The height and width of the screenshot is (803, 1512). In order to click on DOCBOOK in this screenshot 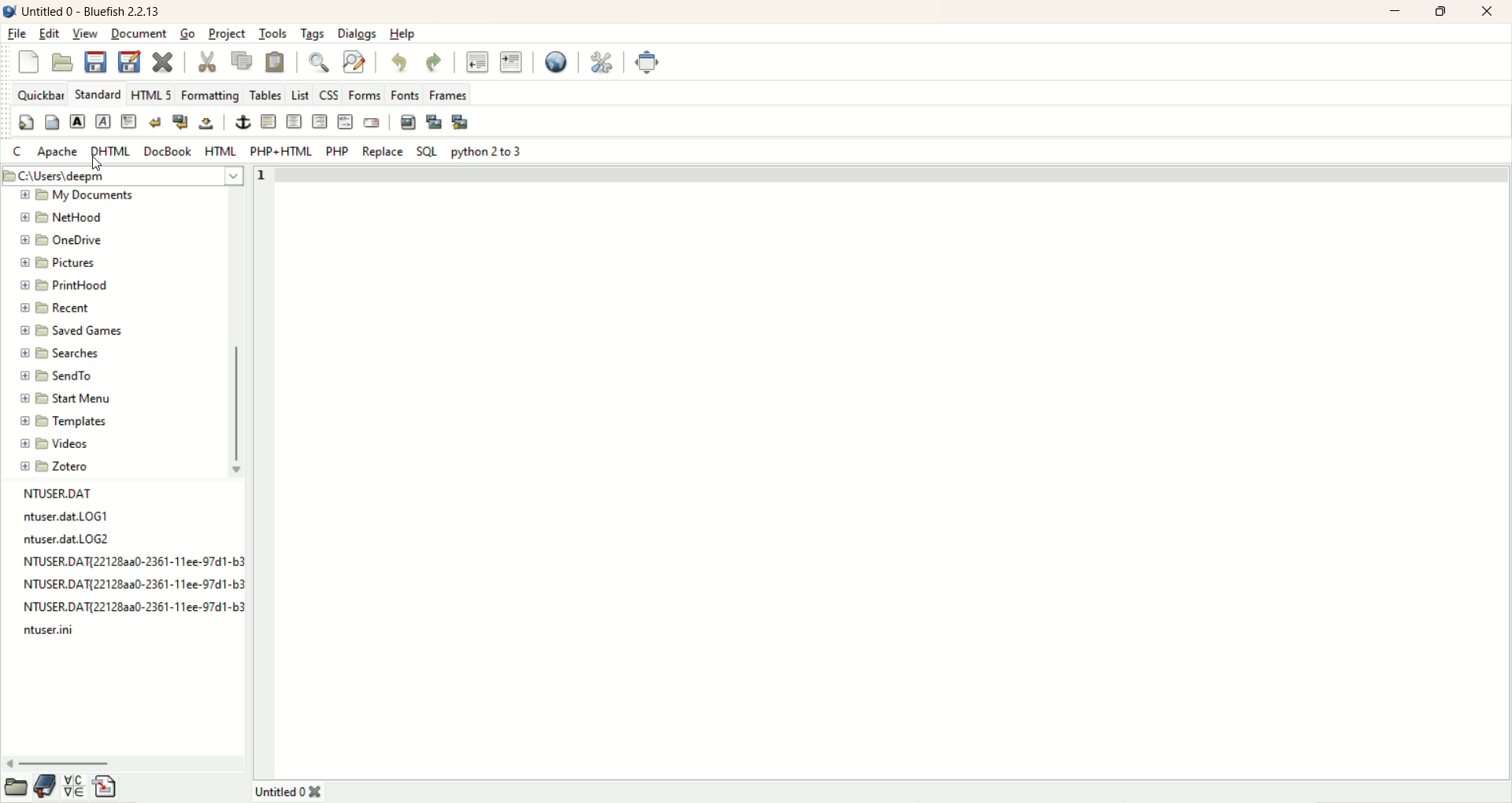, I will do `click(169, 154)`.